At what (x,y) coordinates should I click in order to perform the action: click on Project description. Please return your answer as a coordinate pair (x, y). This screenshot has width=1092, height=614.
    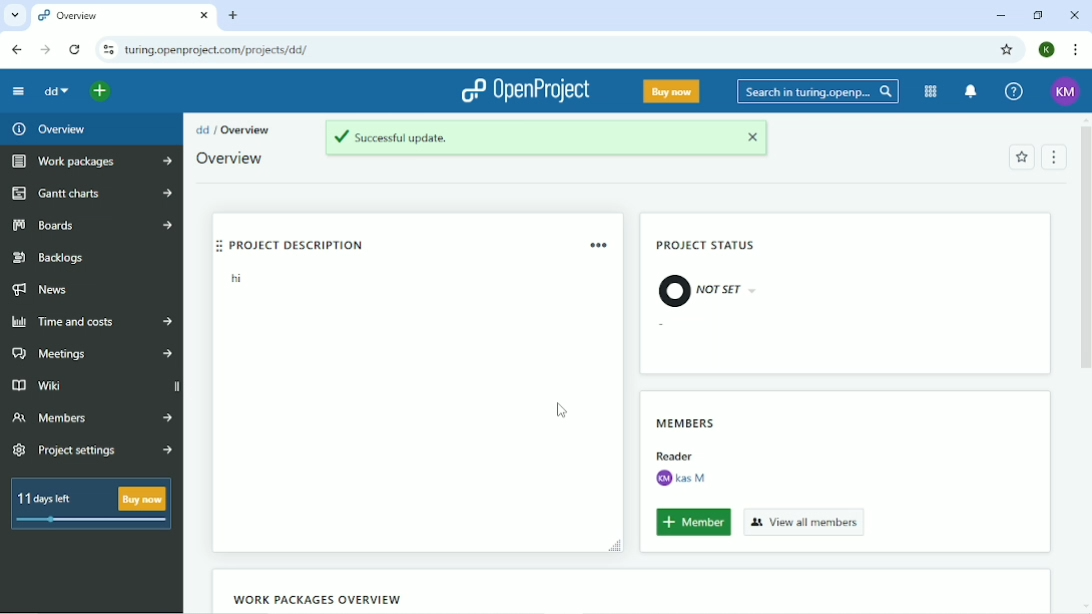
    Looking at the image, I should click on (380, 243).